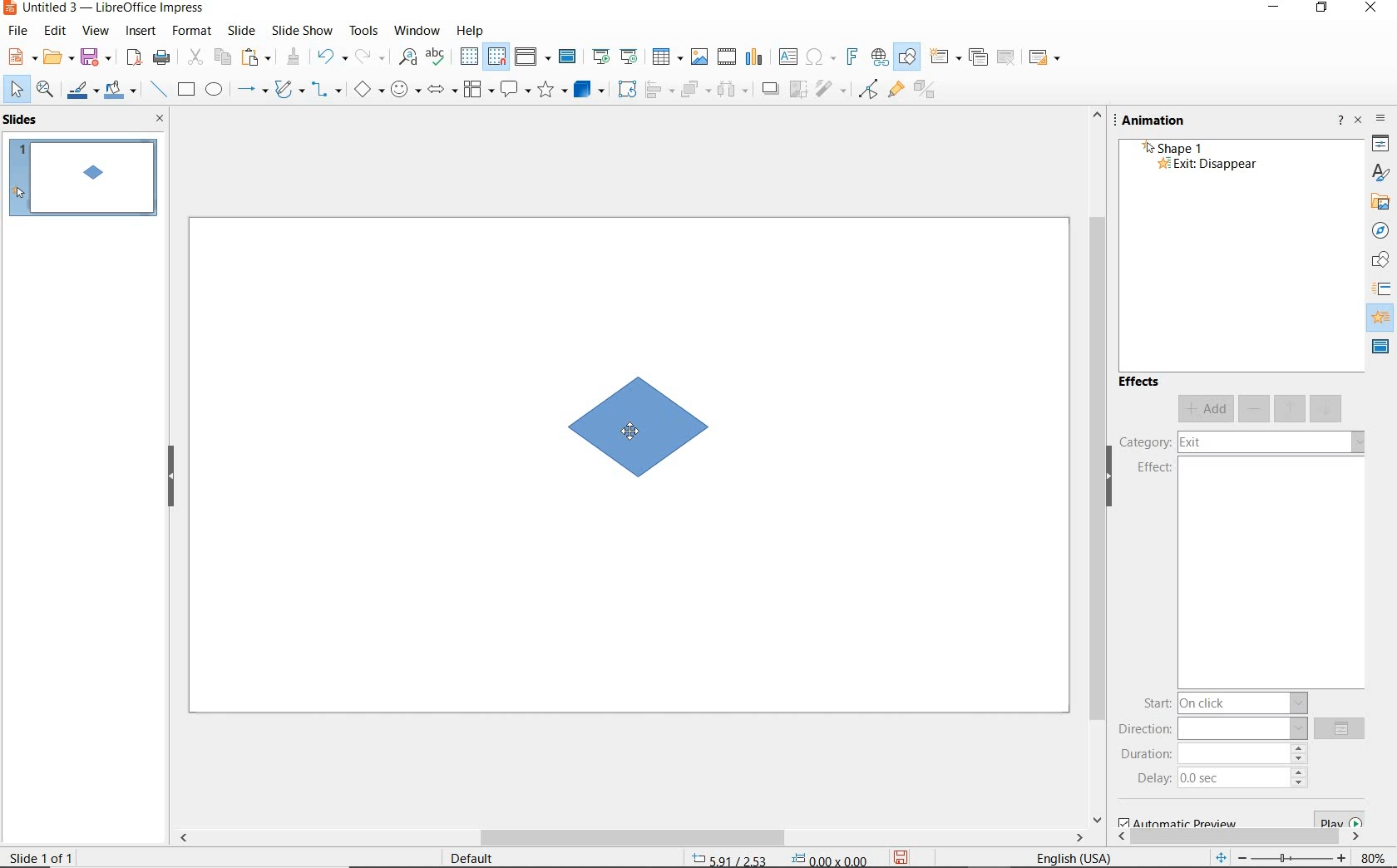  What do you see at coordinates (693, 91) in the screenshot?
I see `arrange` at bounding box center [693, 91].